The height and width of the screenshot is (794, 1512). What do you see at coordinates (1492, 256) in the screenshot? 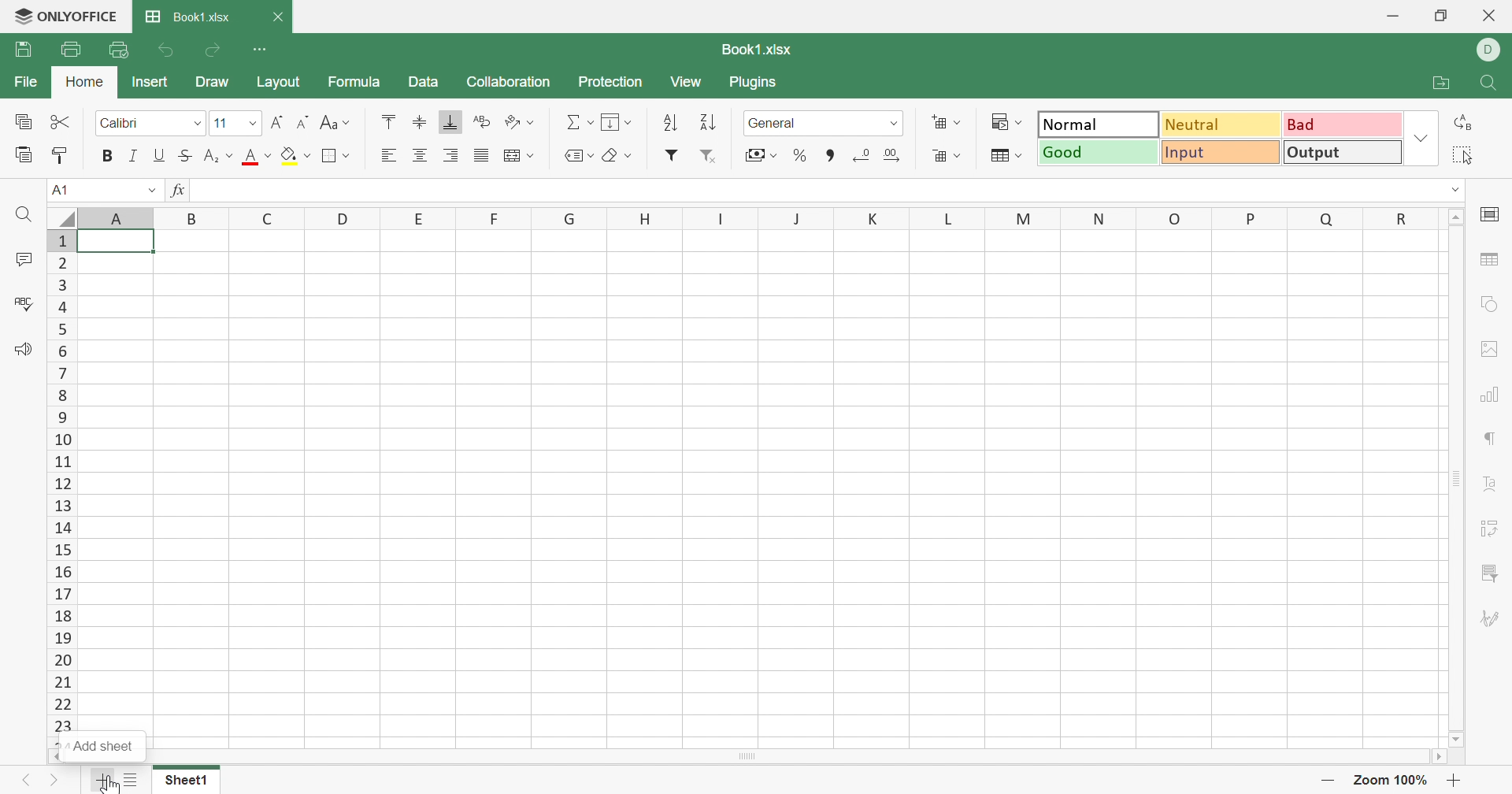
I see `Table settings` at bounding box center [1492, 256].